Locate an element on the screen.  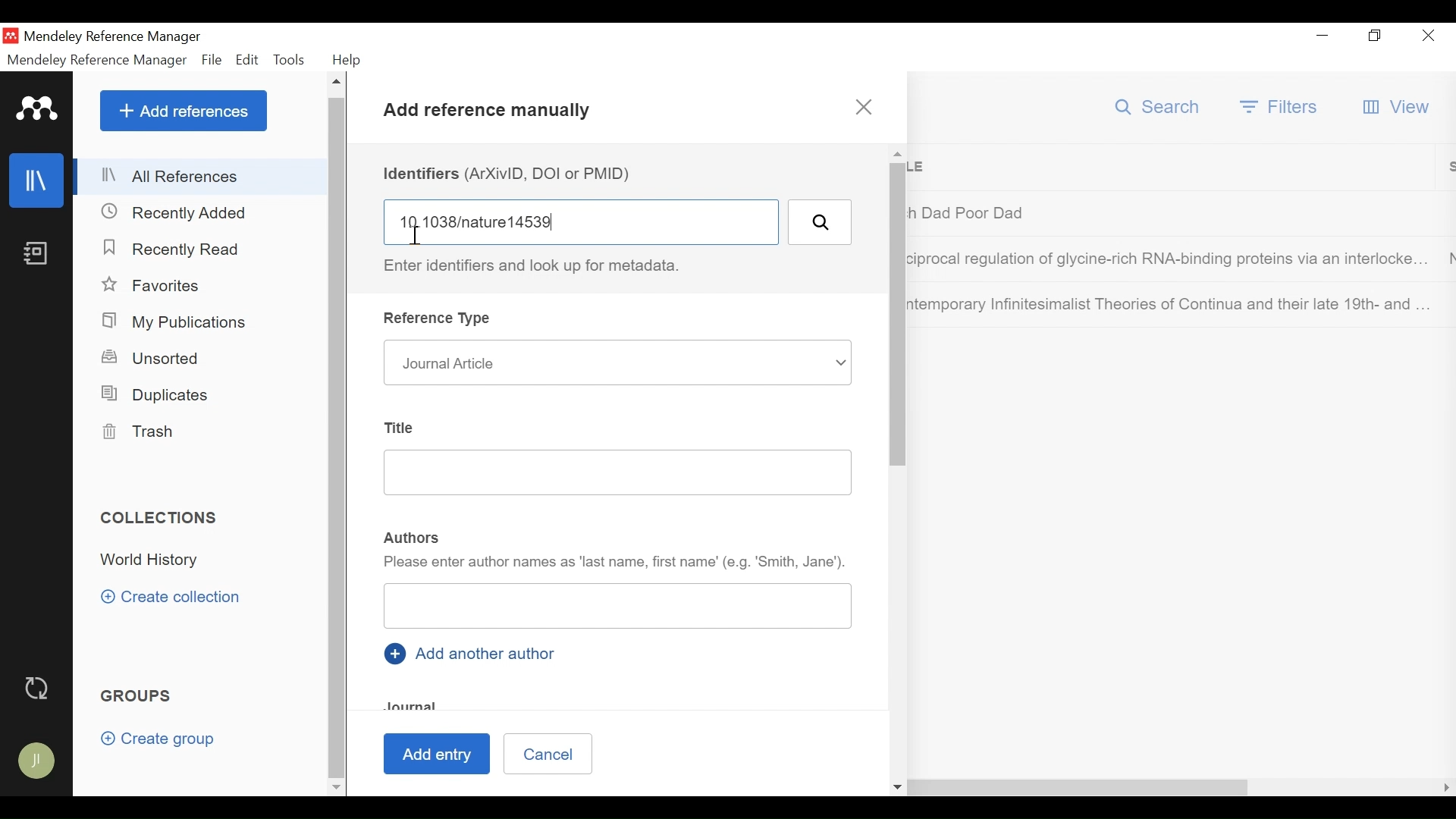
Enter Identifiers and look up to metadata is located at coordinates (538, 266).